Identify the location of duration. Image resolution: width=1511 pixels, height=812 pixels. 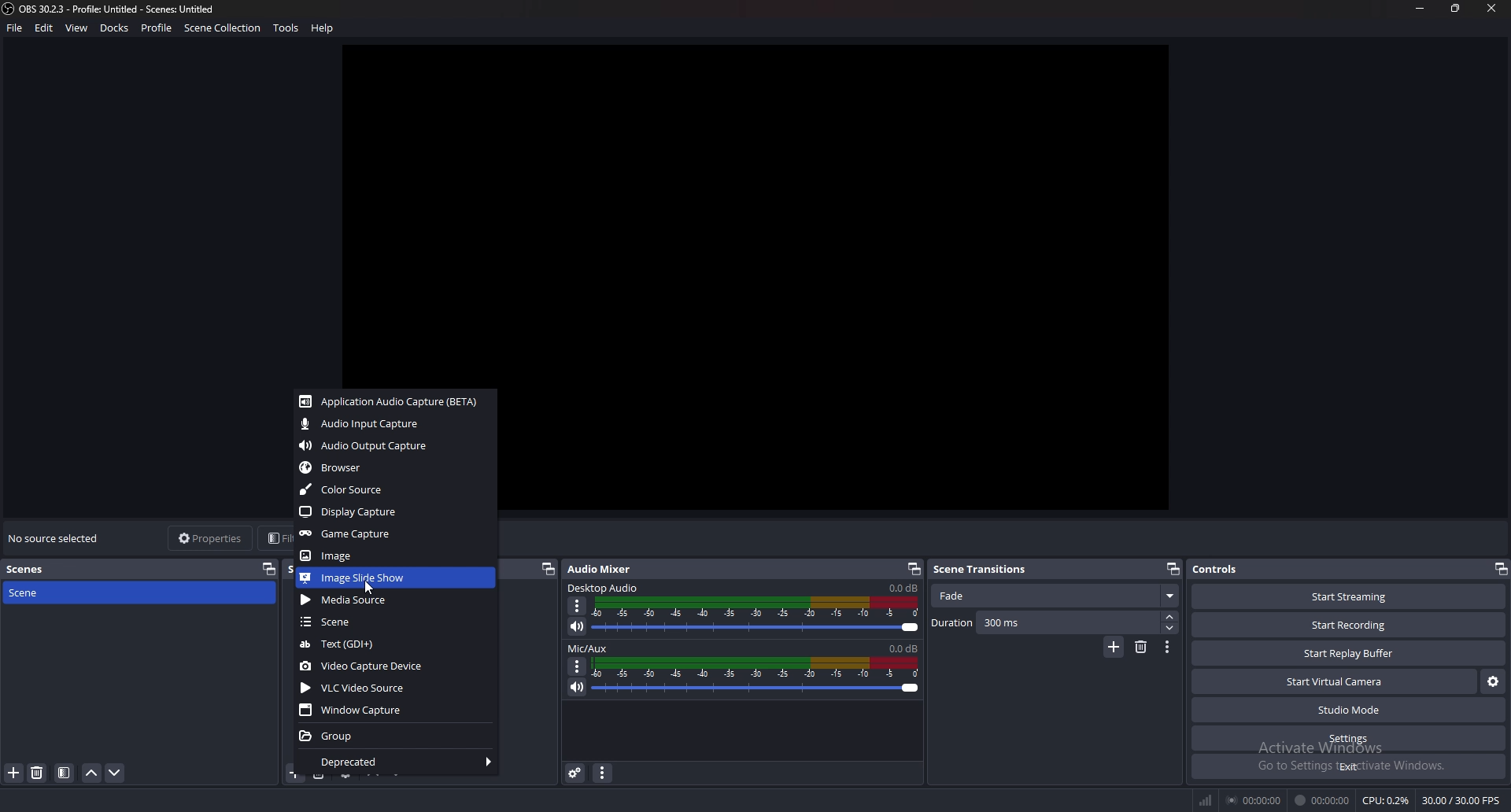
(1044, 623).